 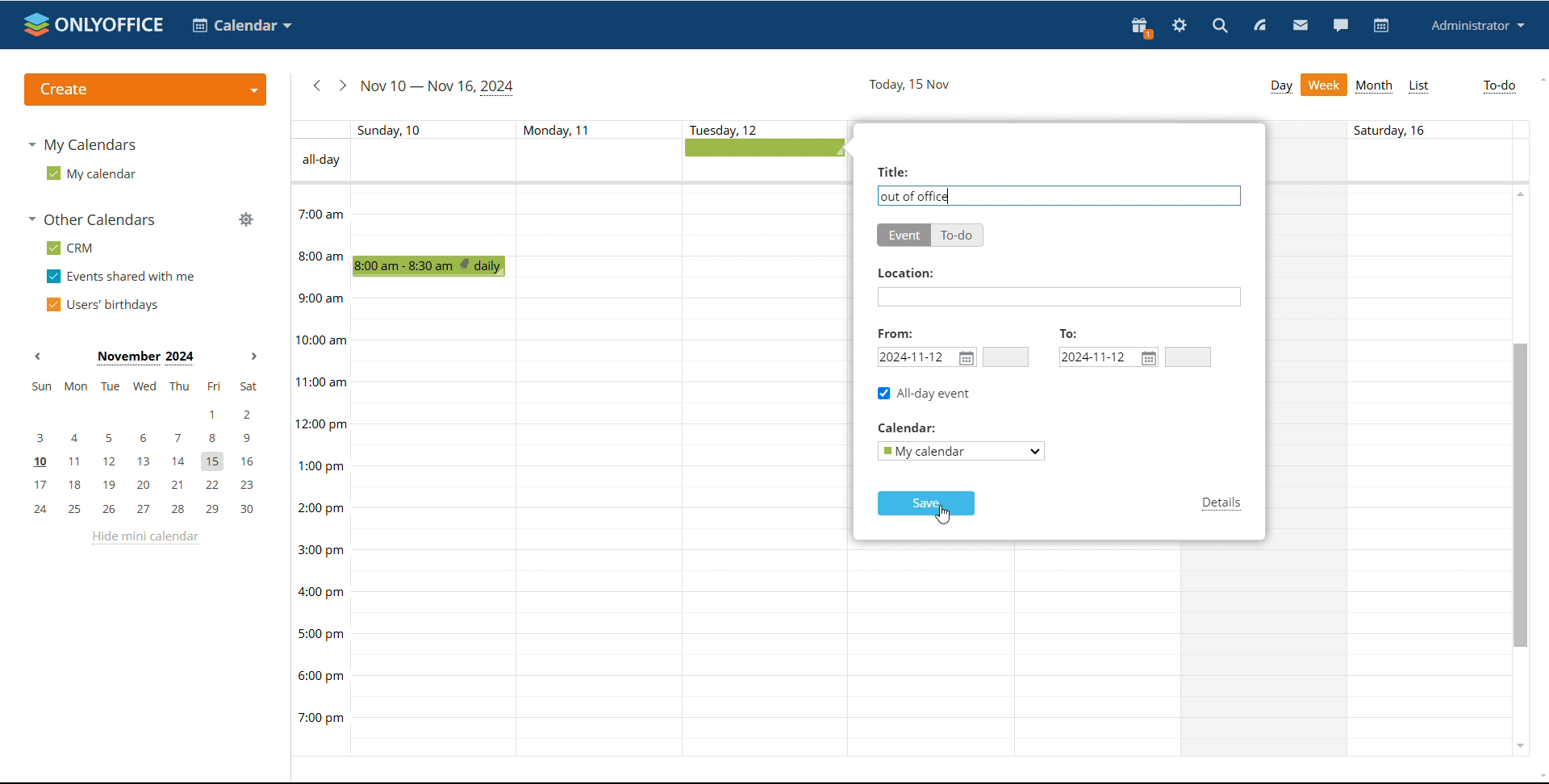 I want to click on save, so click(x=927, y=503).